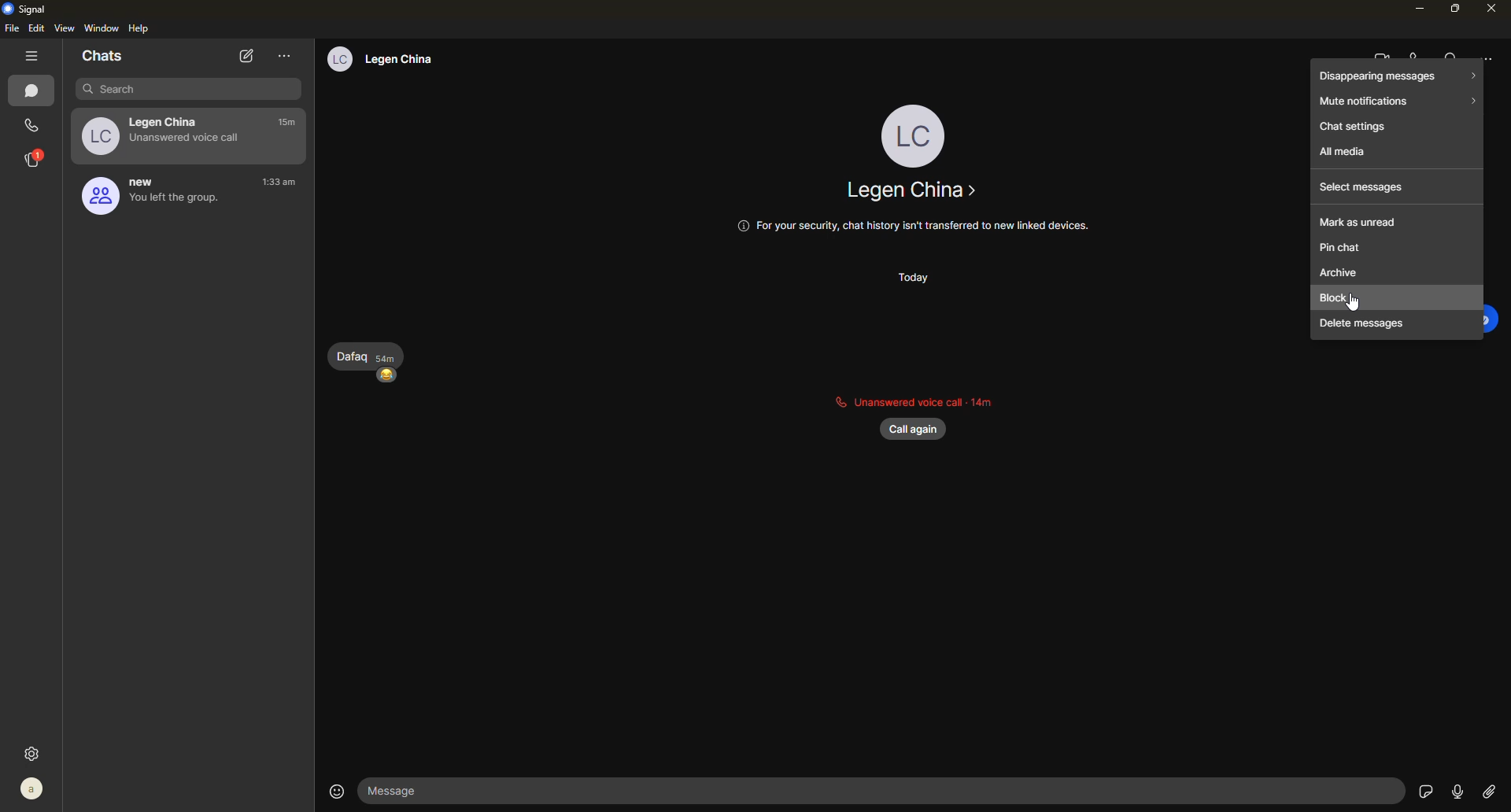 The image size is (1511, 812). What do you see at coordinates (31, 56) in the screenshot?
I see `hide tabs` at bounding box center [31, 56].